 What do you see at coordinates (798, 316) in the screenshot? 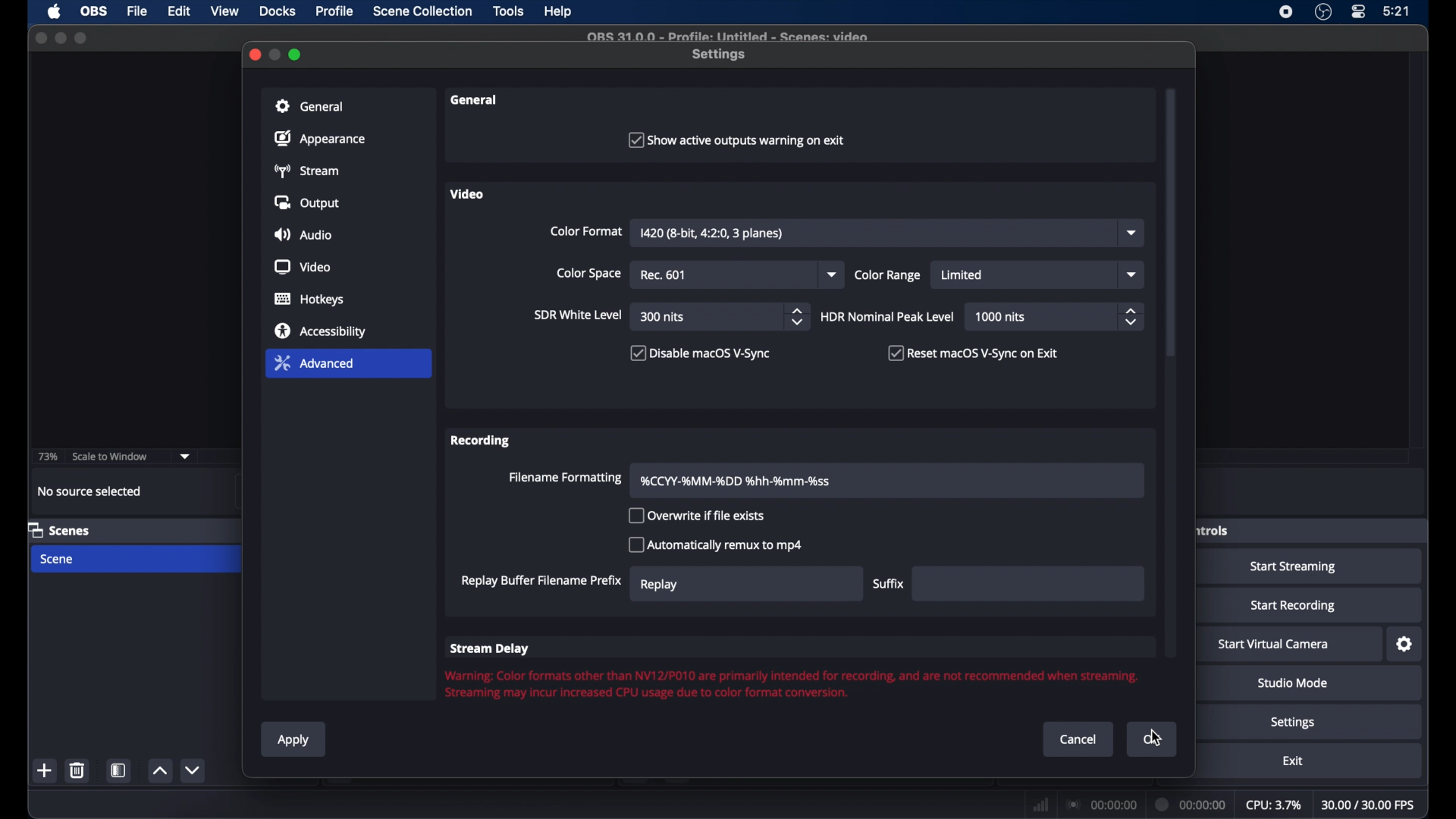
I see `stepper buttons` at bounding box center [798, 316].